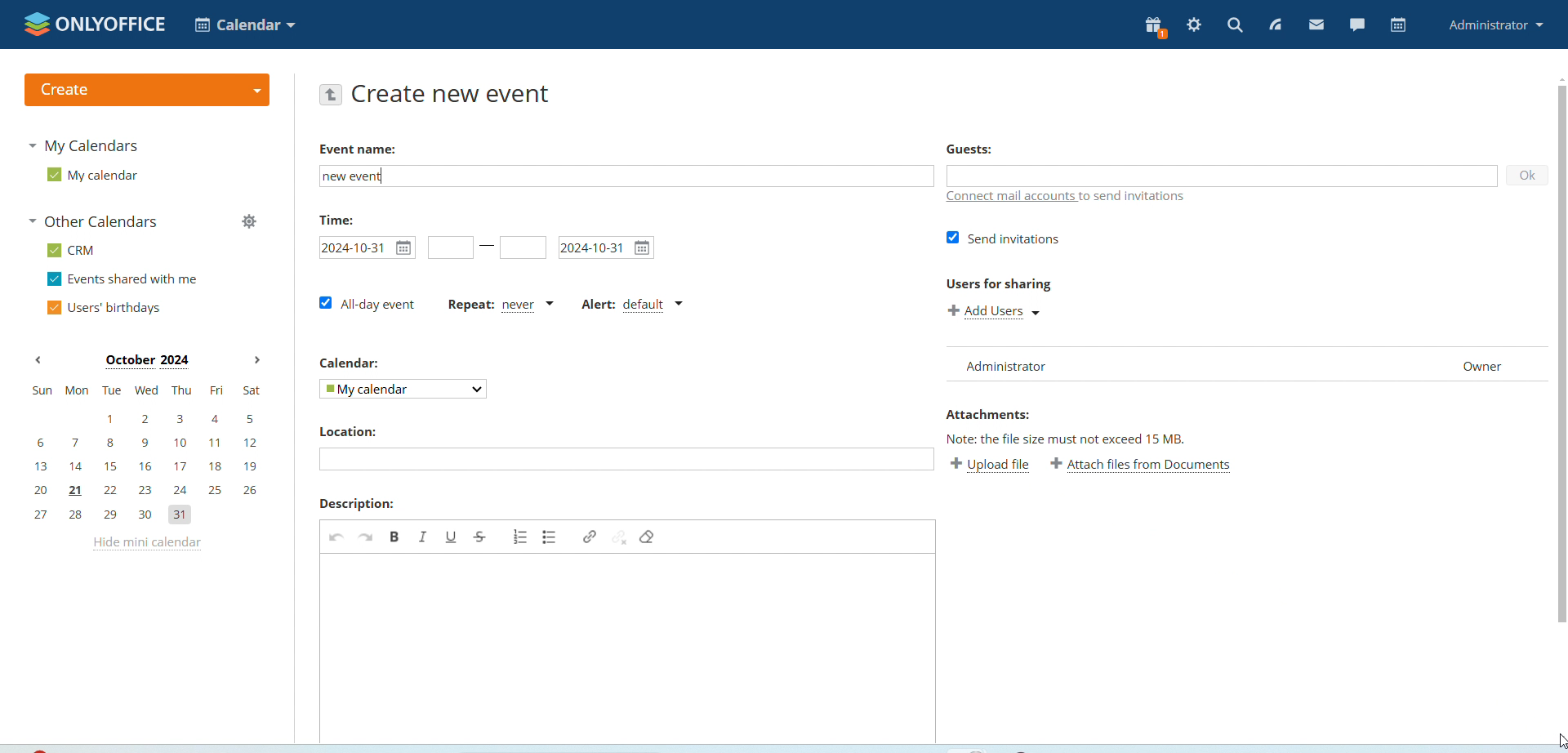  I want to click on onlyofice logo, so click(95, 24).